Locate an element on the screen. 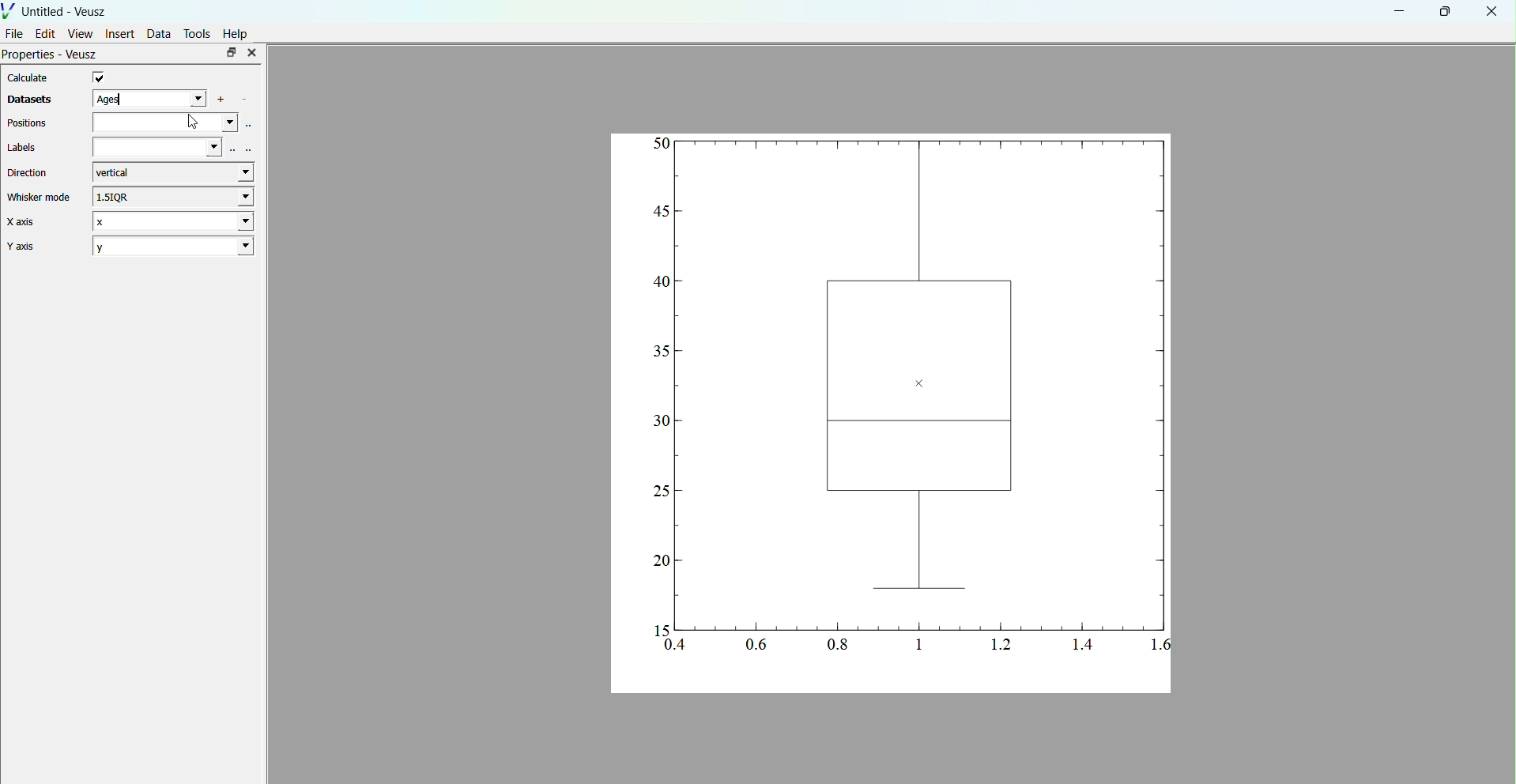 This screenshot has width=1516, height=784. maximise is located at coordinates (231, 52).